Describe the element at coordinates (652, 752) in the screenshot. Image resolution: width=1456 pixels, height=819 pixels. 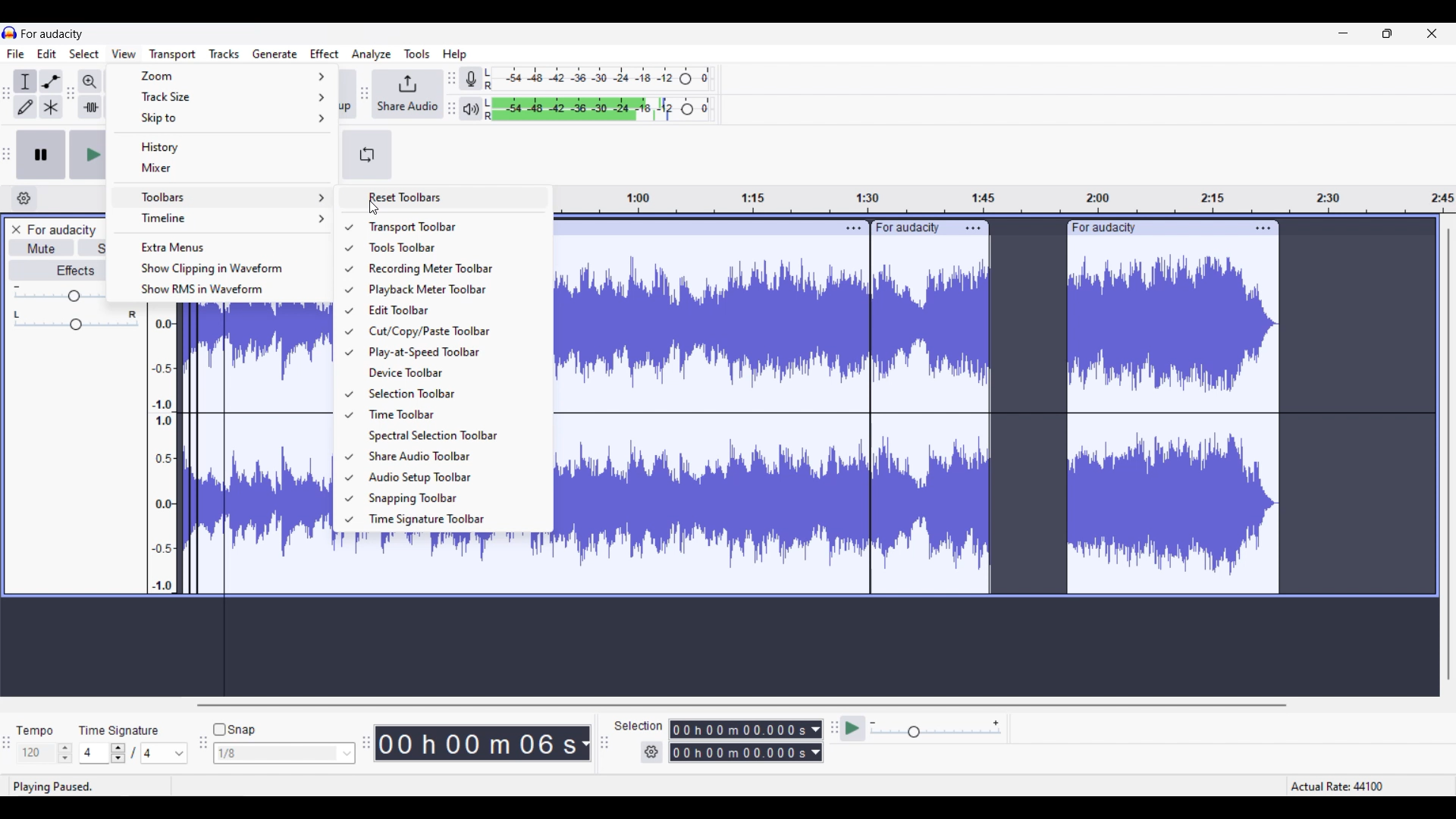
I see `Selection settings` at that location.